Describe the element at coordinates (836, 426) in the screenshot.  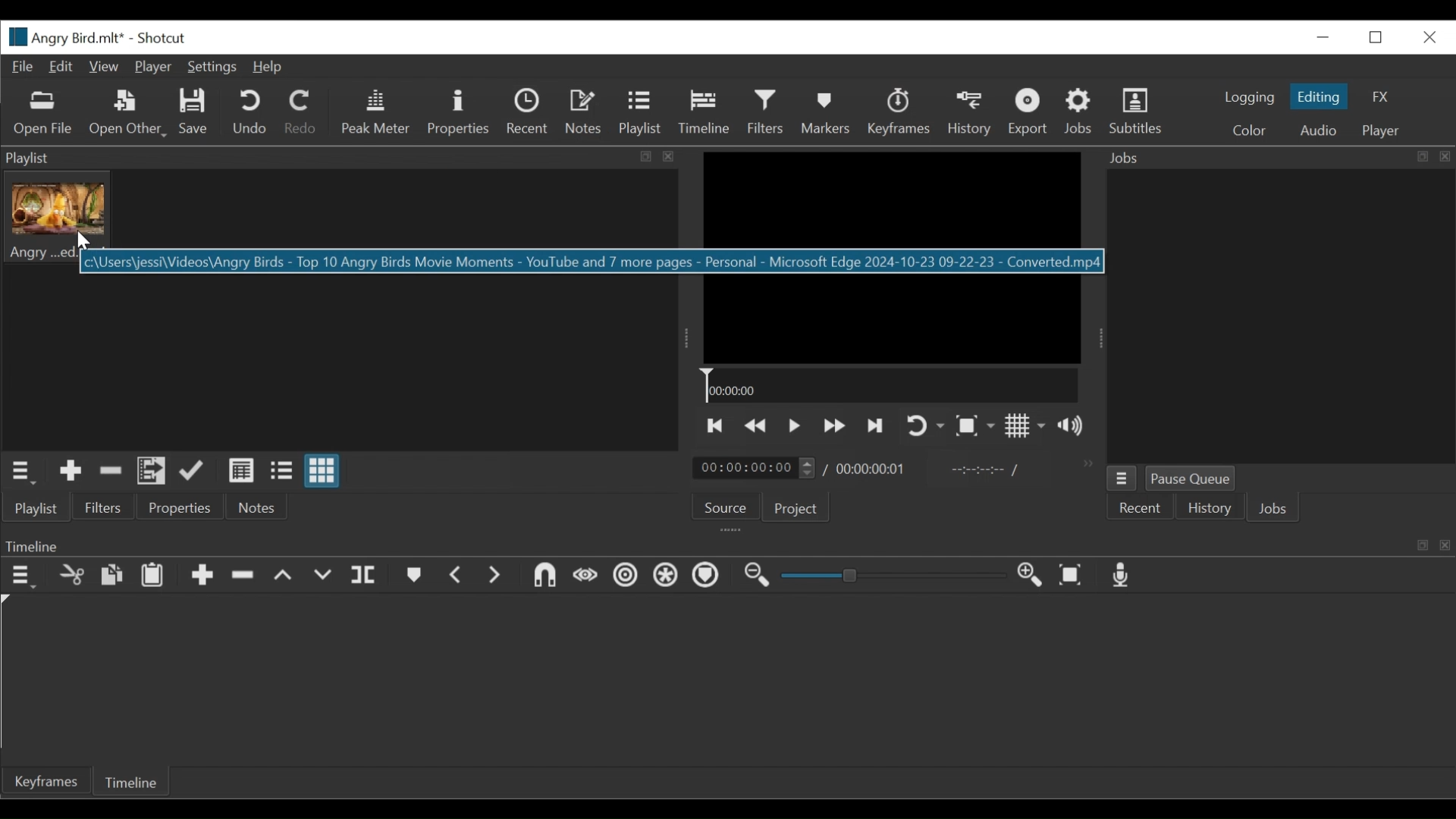
I see `Play forward quickly` at that location.